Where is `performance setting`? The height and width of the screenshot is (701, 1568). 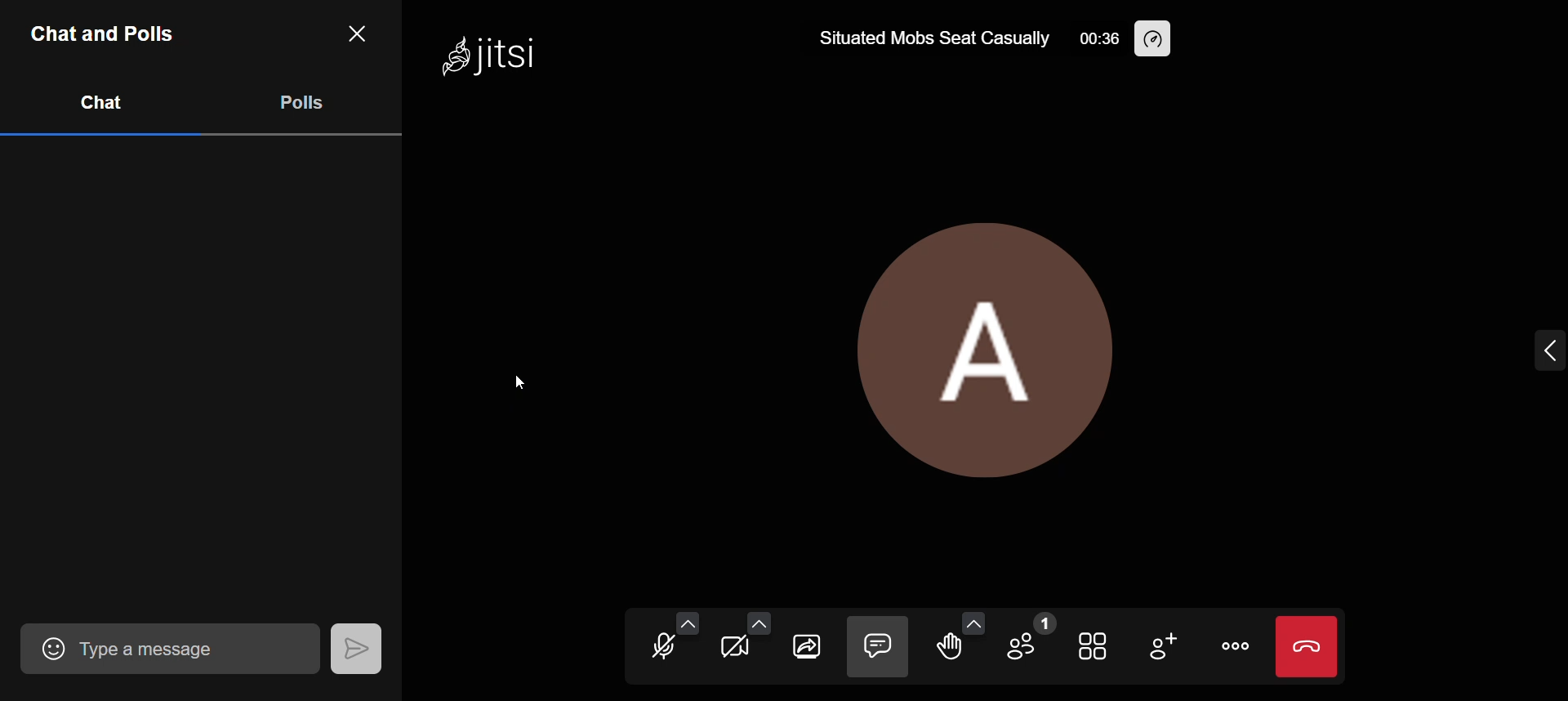 performance setting is located at coordinates (1153, 38).